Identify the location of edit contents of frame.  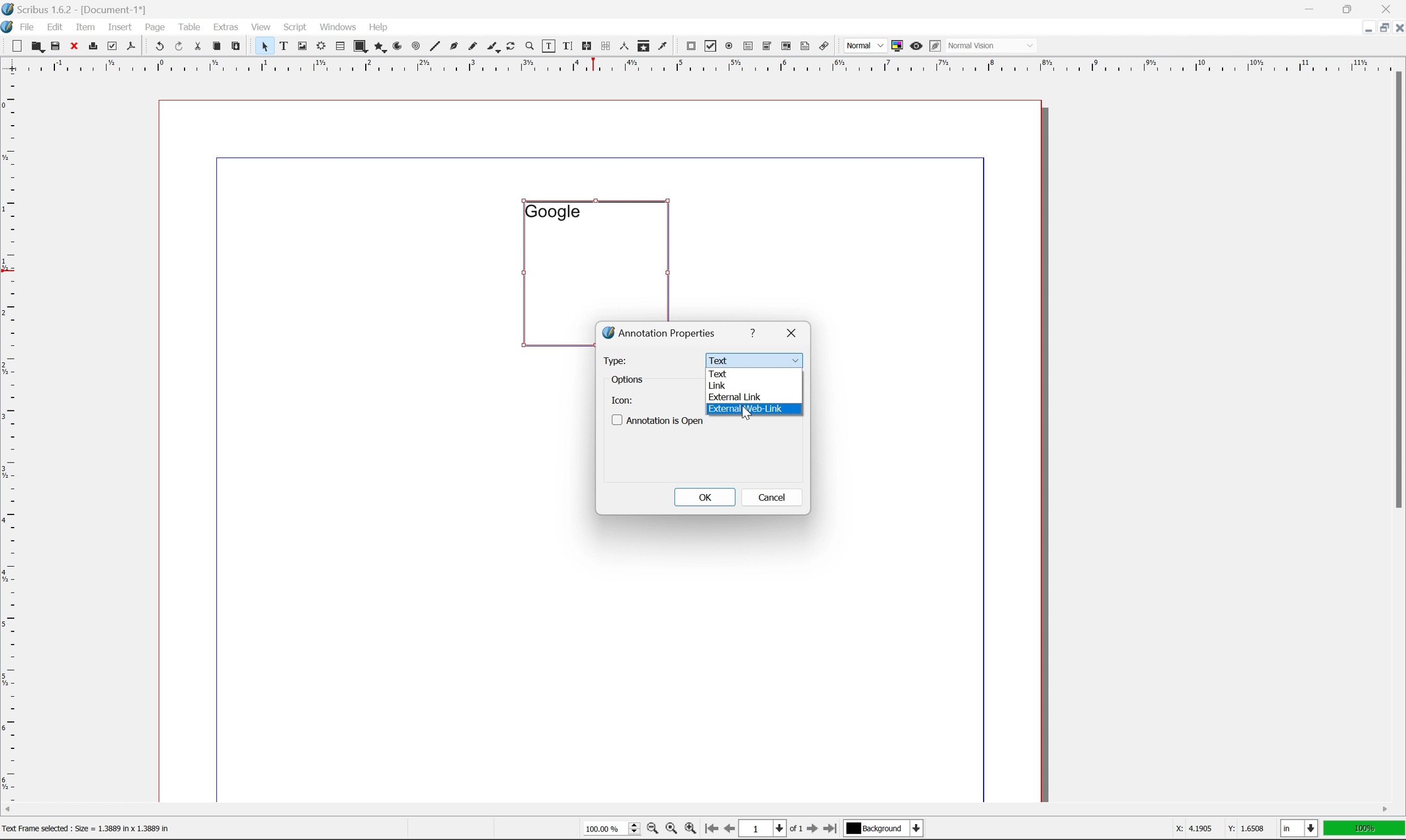
(548, 45).